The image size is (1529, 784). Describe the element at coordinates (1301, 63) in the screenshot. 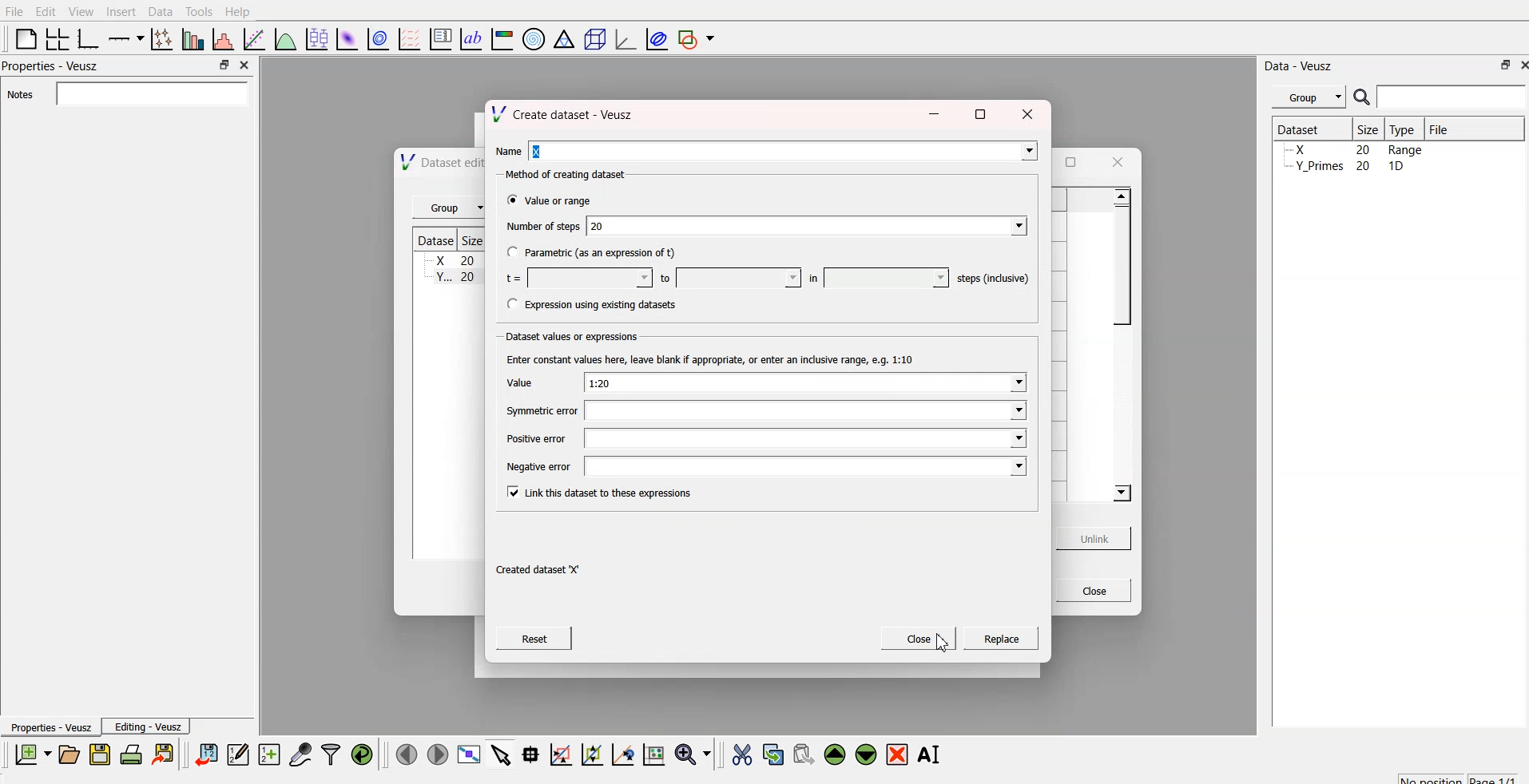

I see `Data - Veusz` at that location.